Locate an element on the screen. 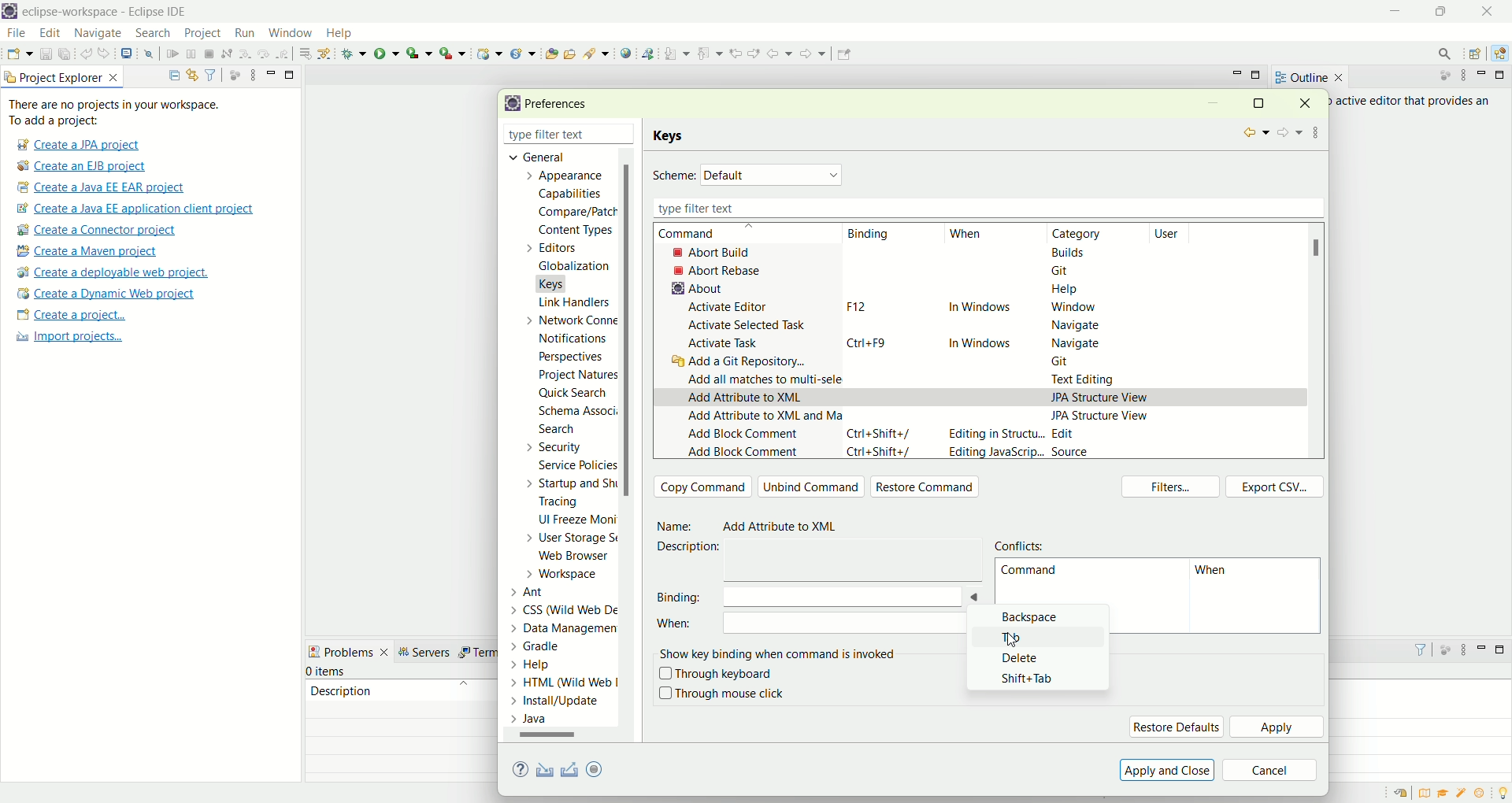  skip all breakpoints is located at coordinates (151, 54).